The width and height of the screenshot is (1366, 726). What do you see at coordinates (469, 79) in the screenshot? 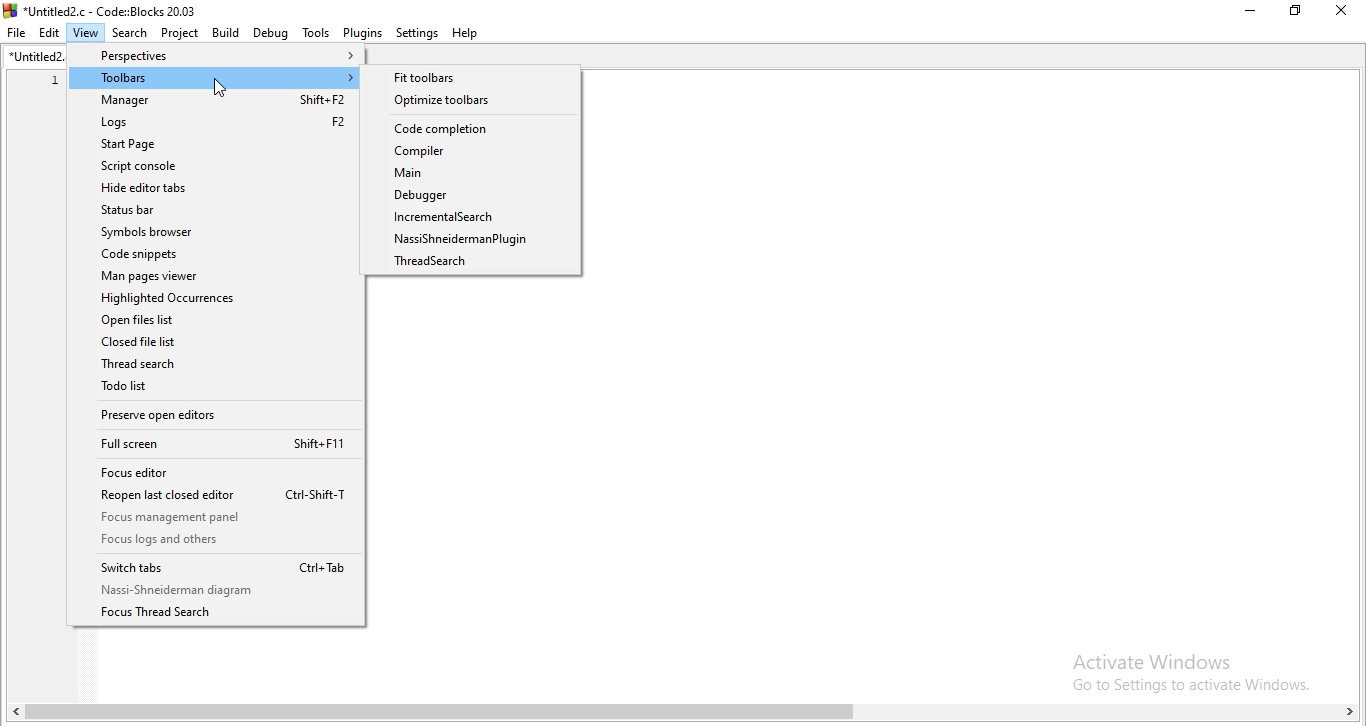
I see `Fittoolbars` at bounding box center [469, 79].